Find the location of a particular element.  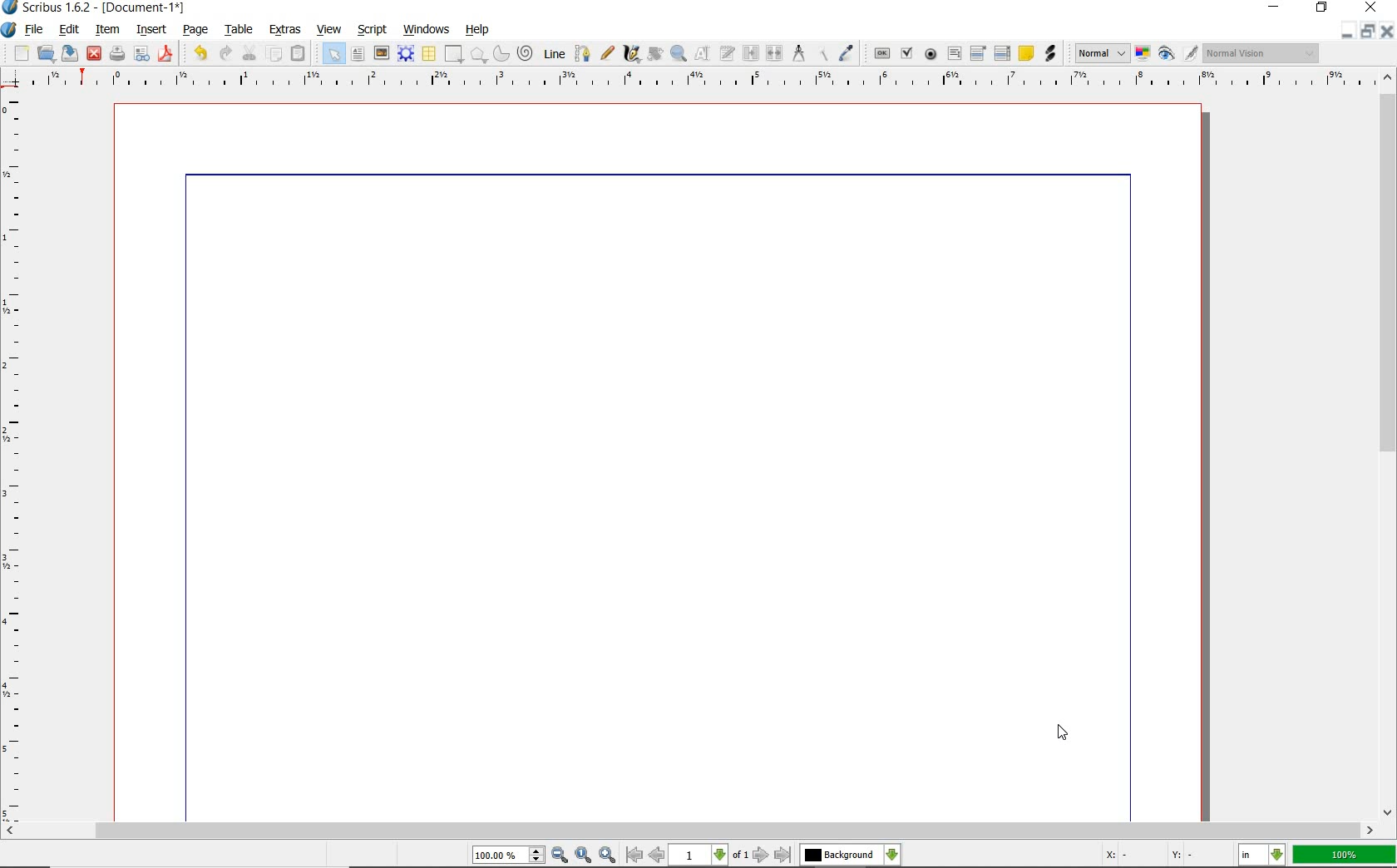

ruler is located at coordinates (17, 456).